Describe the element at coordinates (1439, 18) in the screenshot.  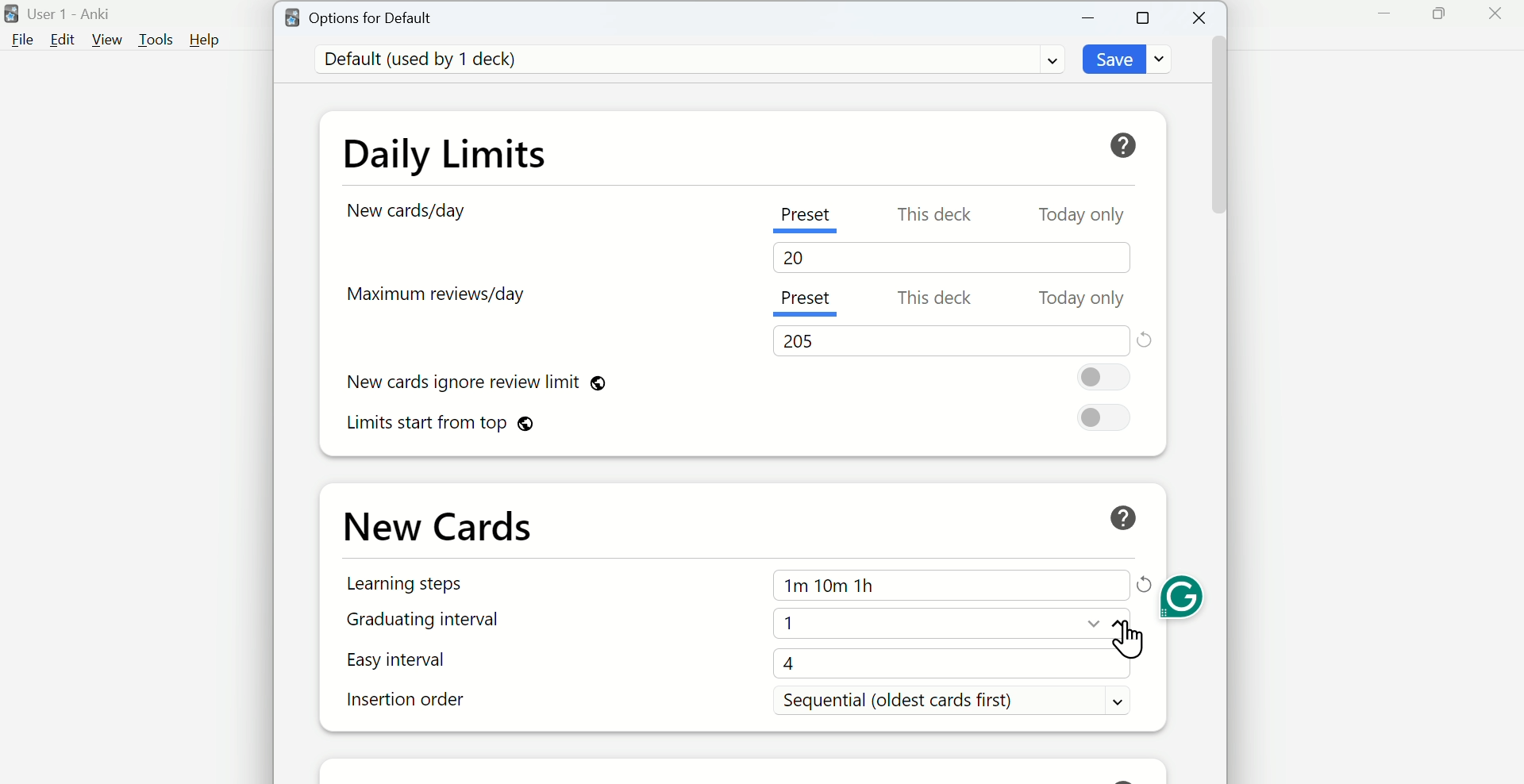
I see `Maximize` at that location.